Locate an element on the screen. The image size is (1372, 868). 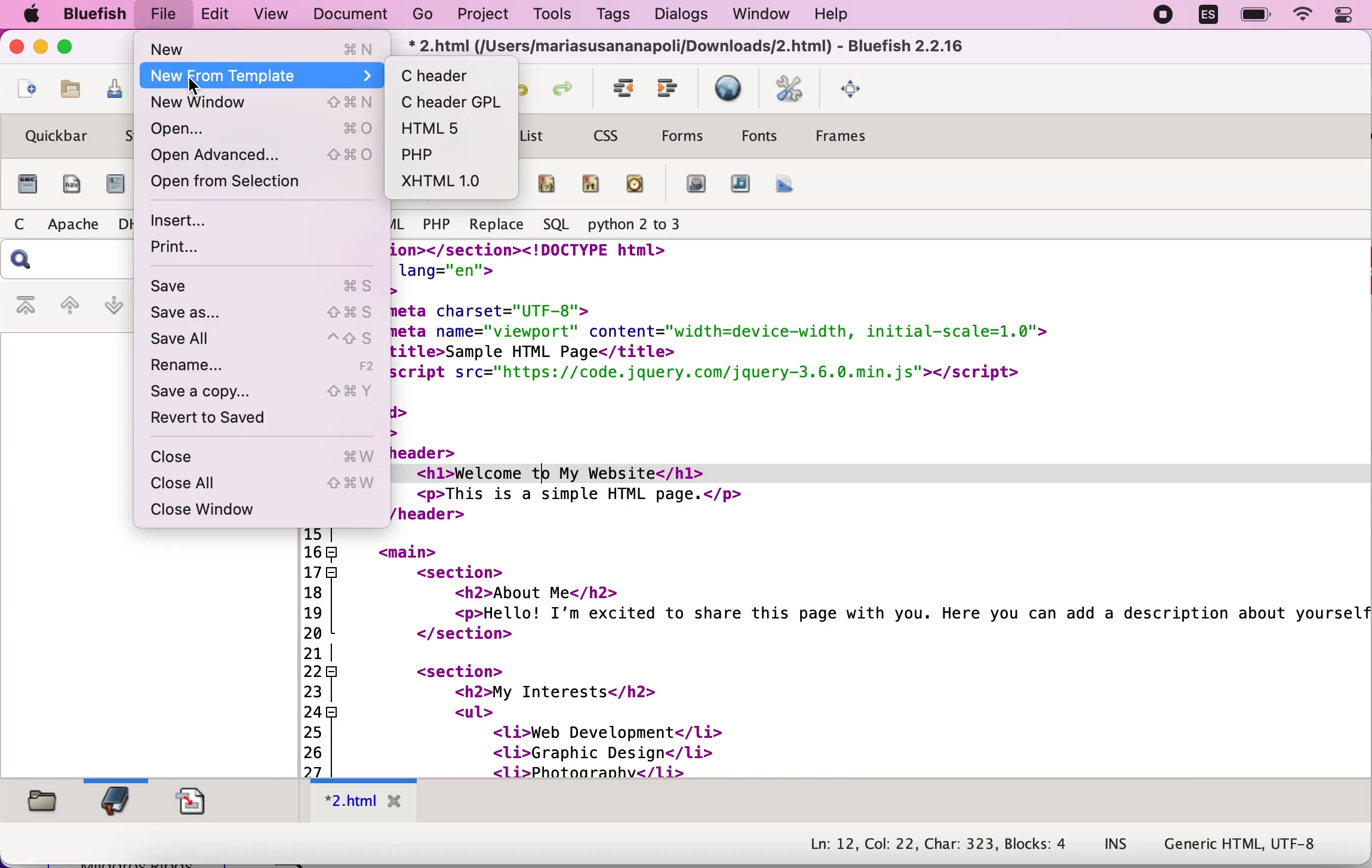
PHP is located at coordinates (438, 224).